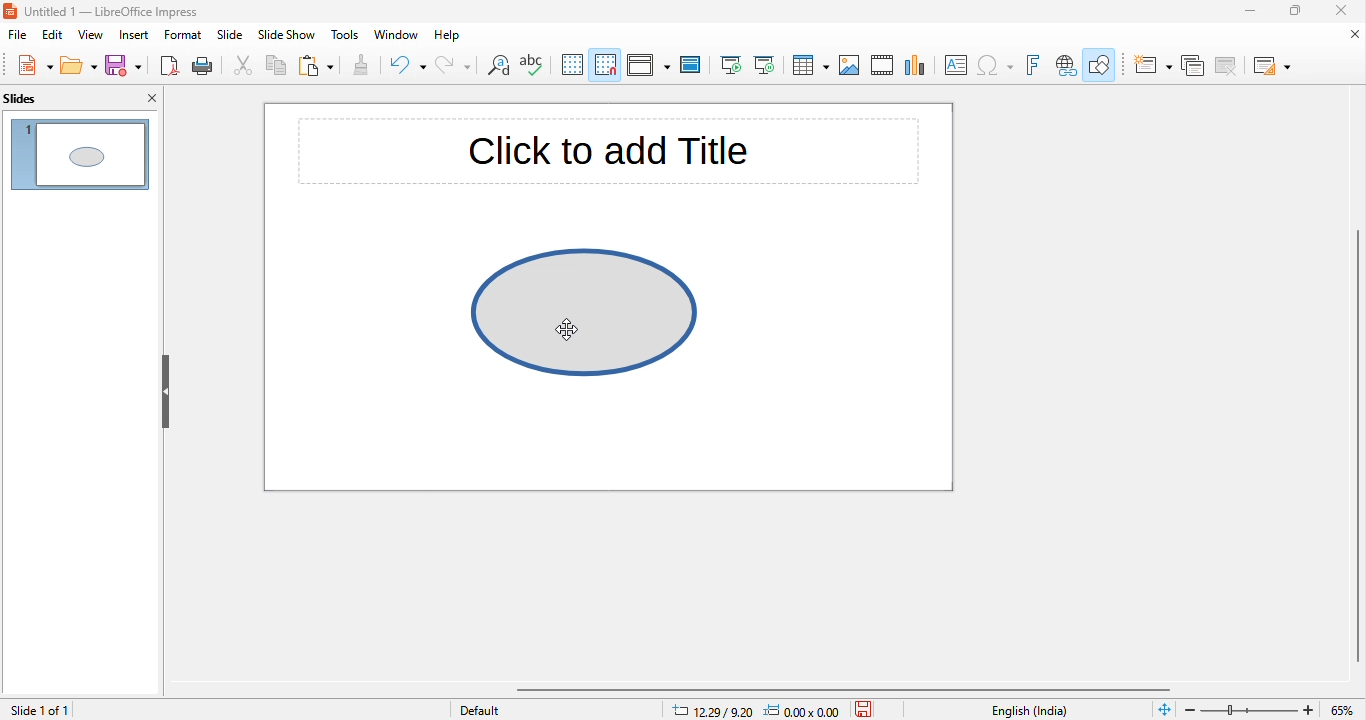  What do you see at coordinates (169, 391) in the screenshot?
I see `hide` at bounding box center [169, 391].